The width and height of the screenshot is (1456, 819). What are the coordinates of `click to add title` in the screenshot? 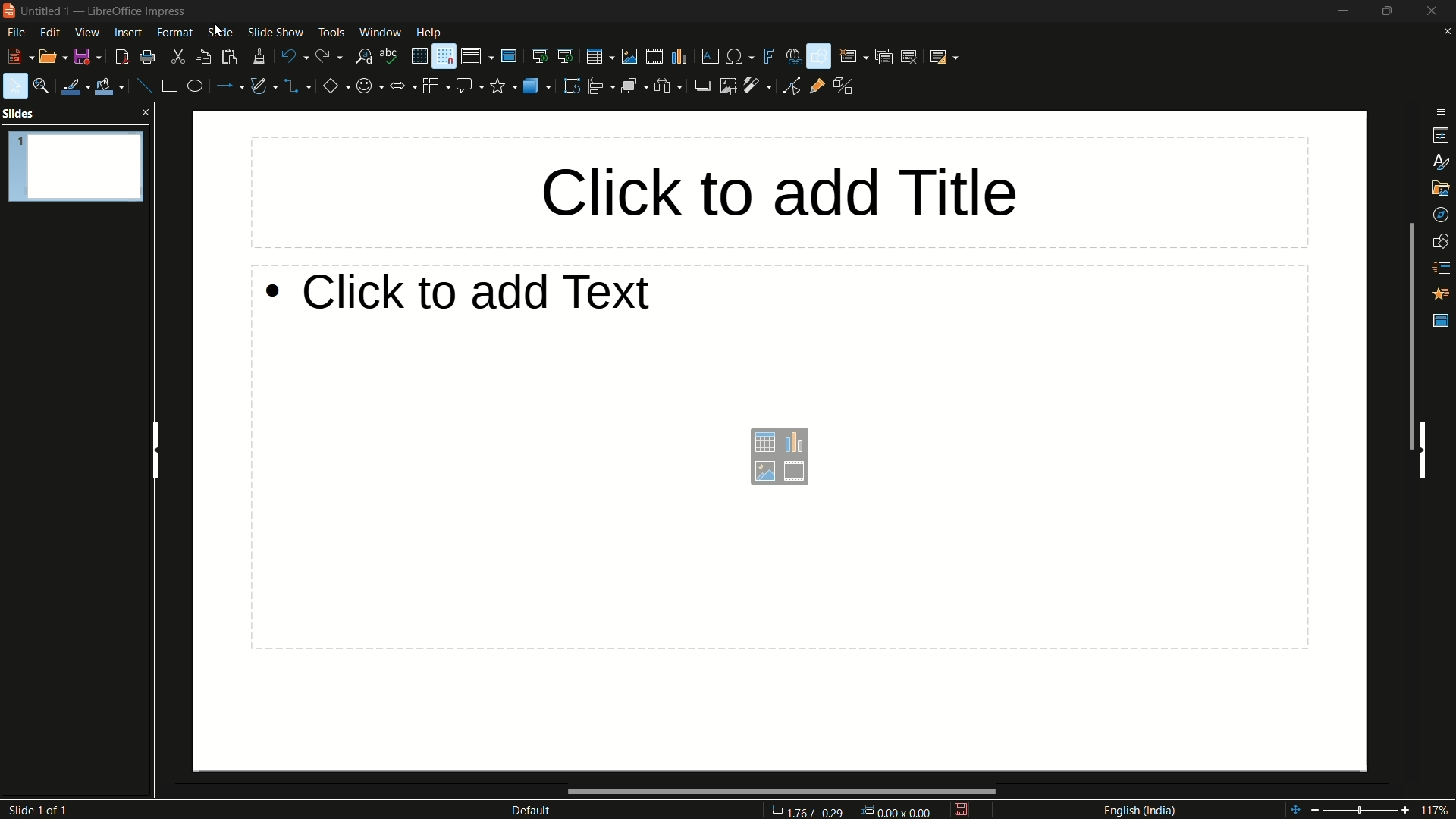 It's located at (786, 188).